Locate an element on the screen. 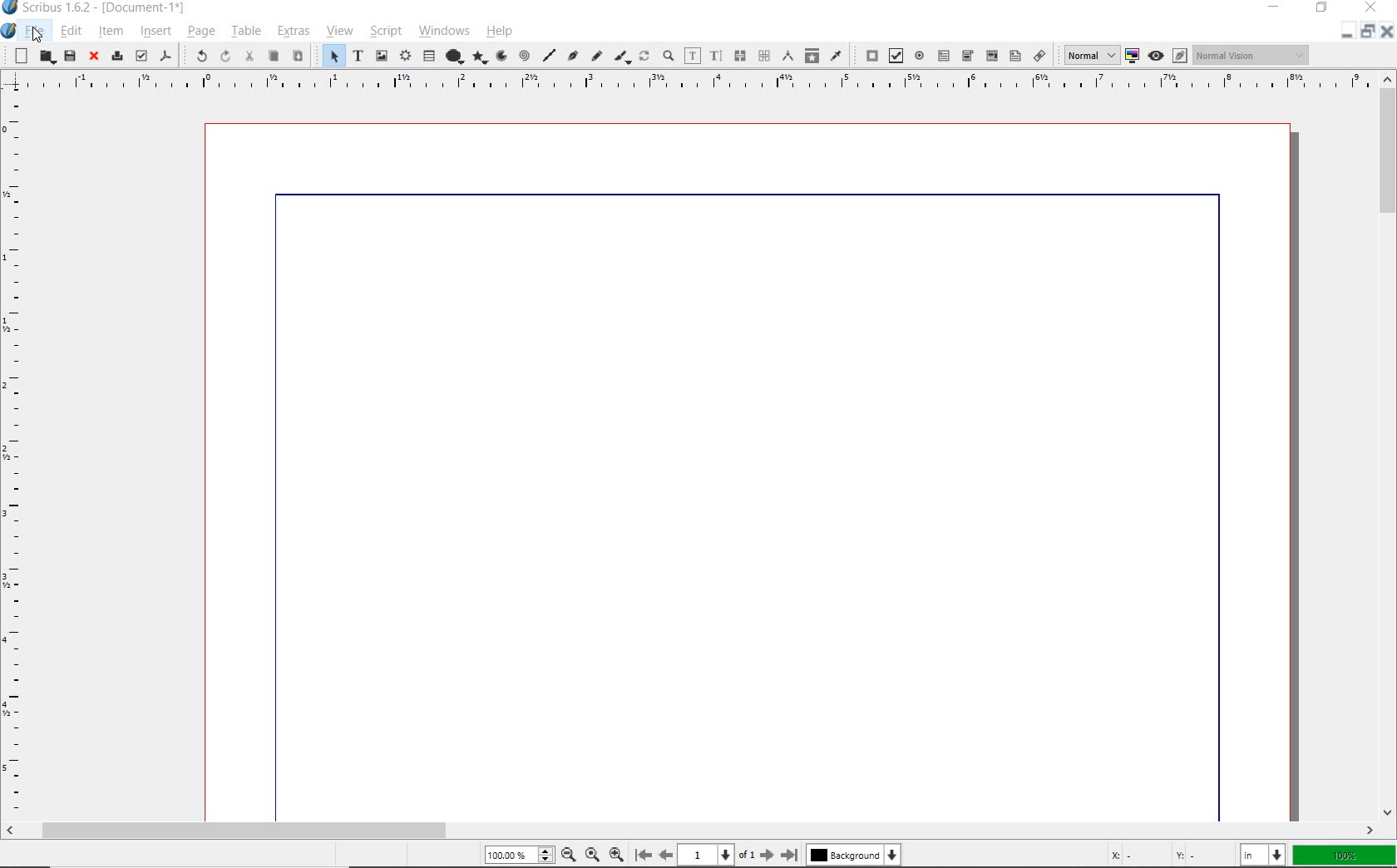 Image resolution: width=1397 pixels, height=868 pixels. Cursor Position is located at coordinates (37, 35).